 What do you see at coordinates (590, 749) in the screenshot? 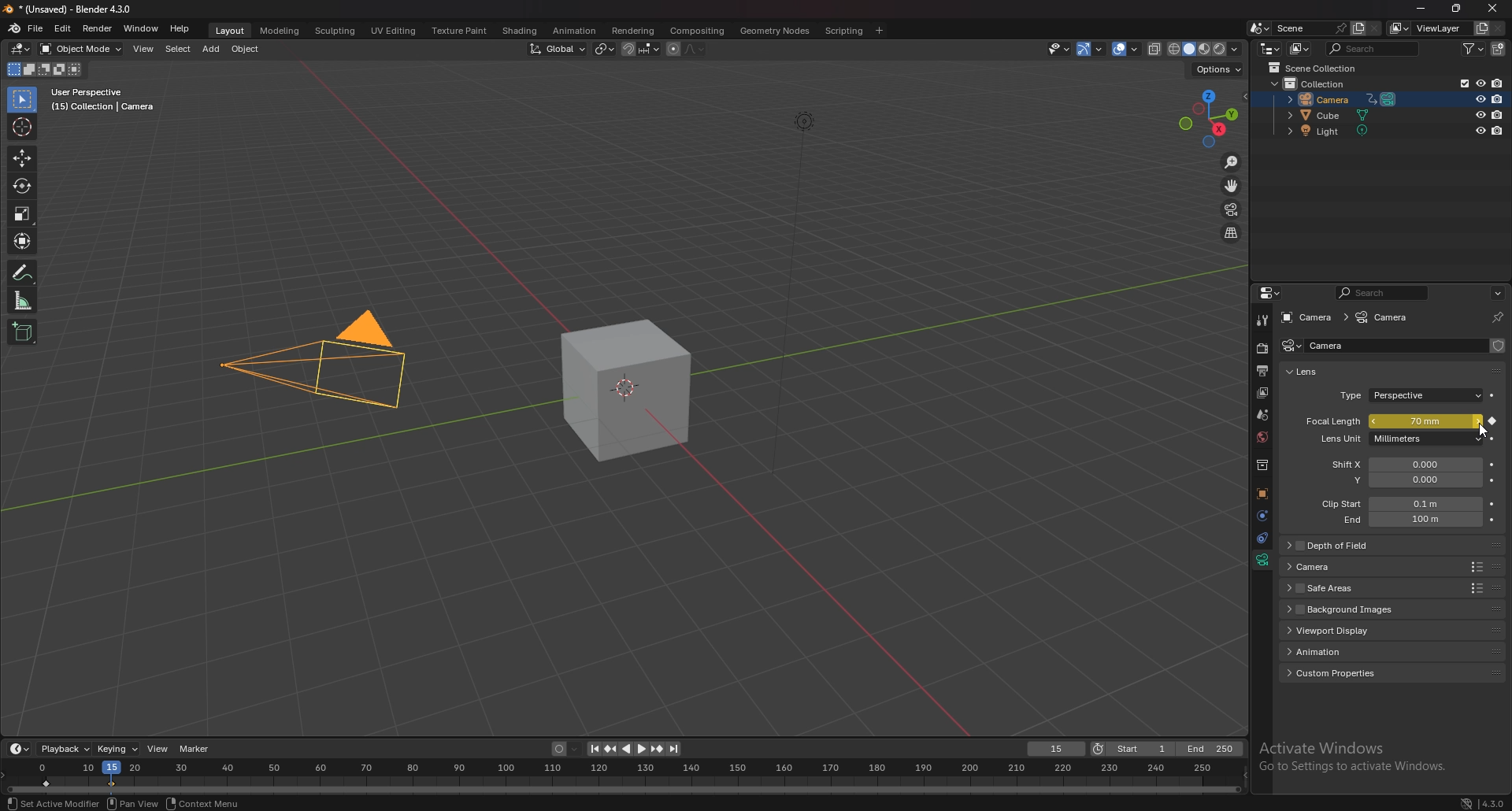
I see `jump to endpoint` at bounding box center [590, 749].